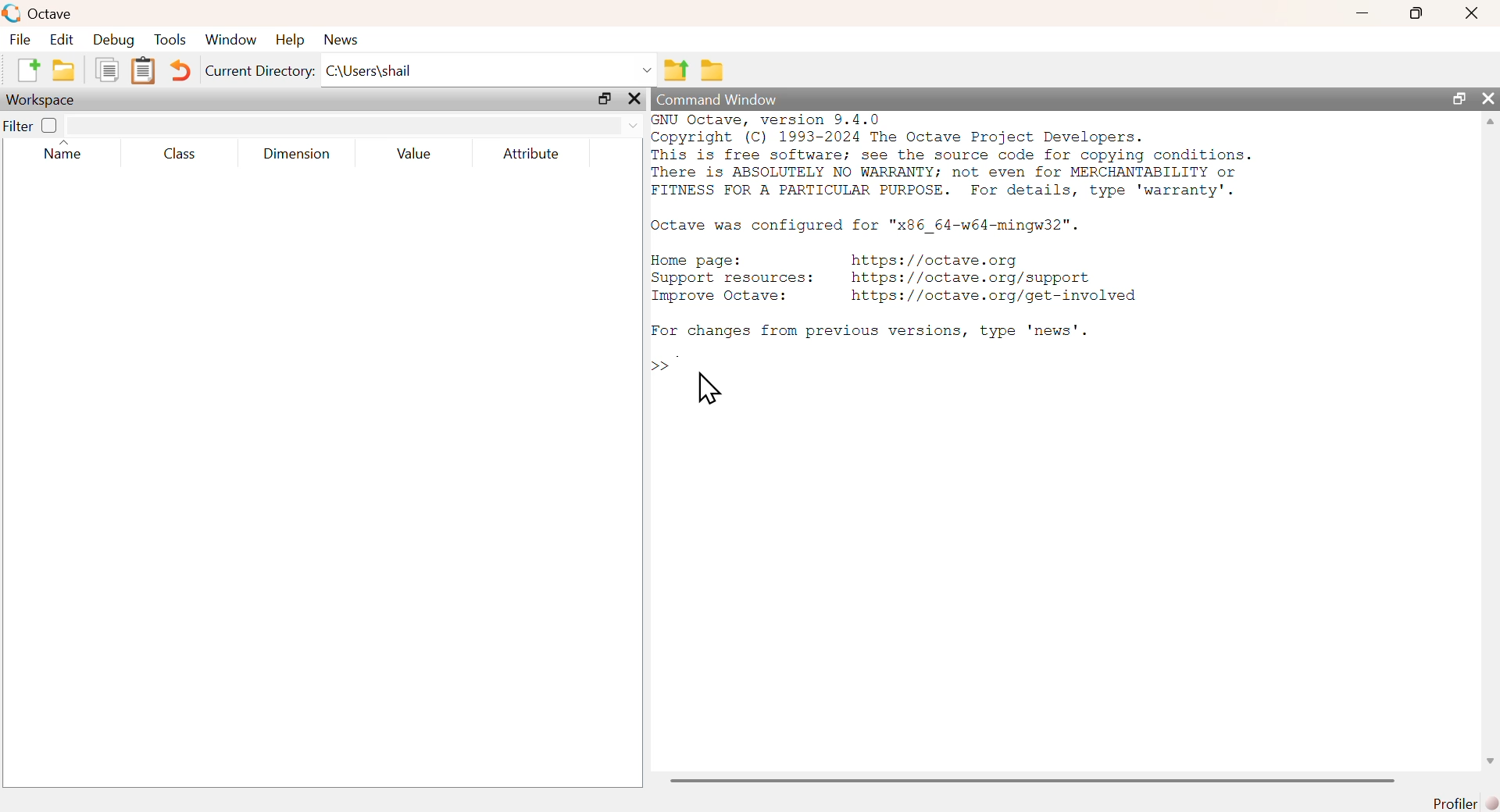  What do you see at coordinates (605, 97) in the screenshot?
I see `maximize` at bounding box center [605, 97].